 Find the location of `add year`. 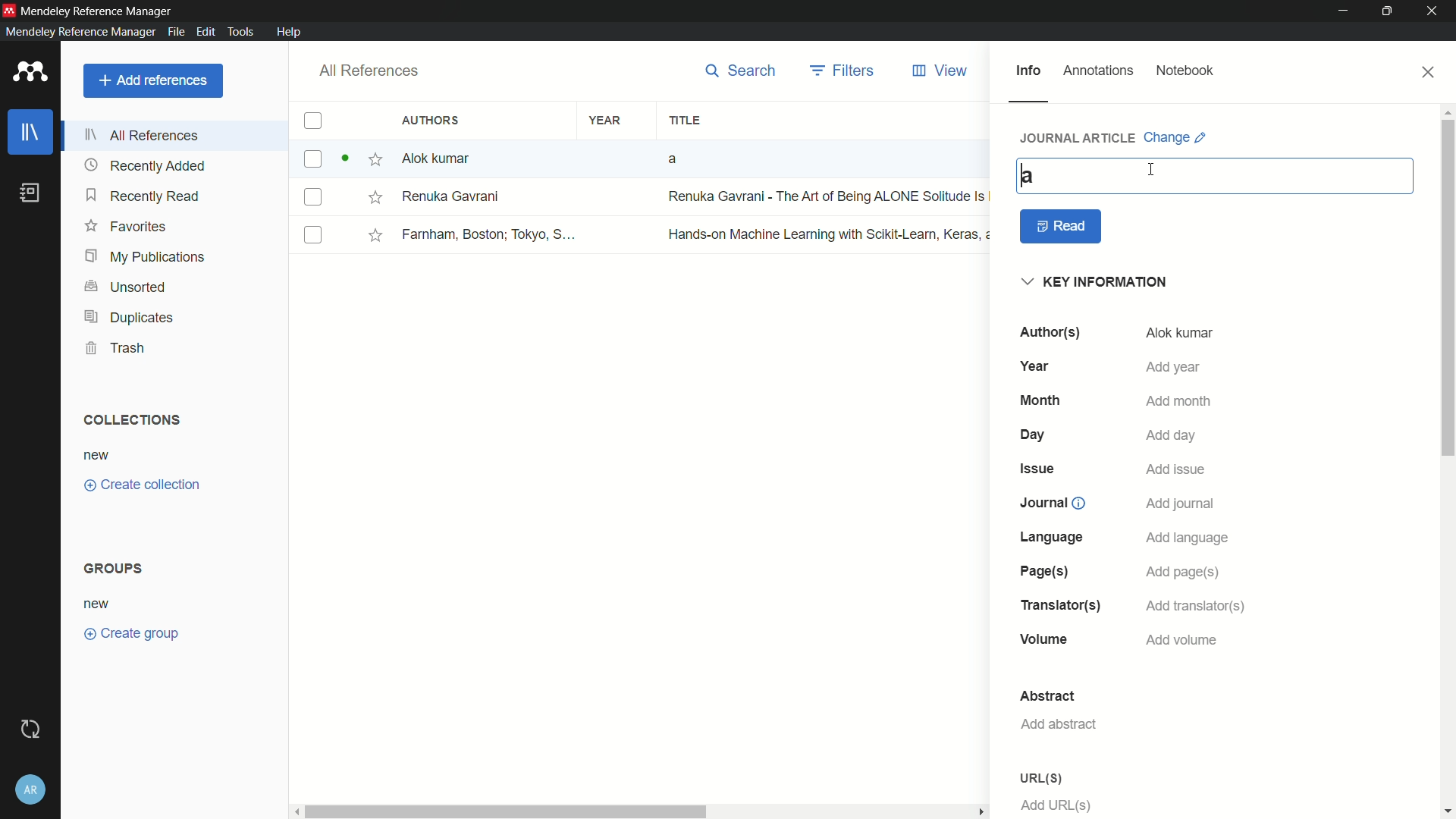

add year is located at coordinates (1172, 367).